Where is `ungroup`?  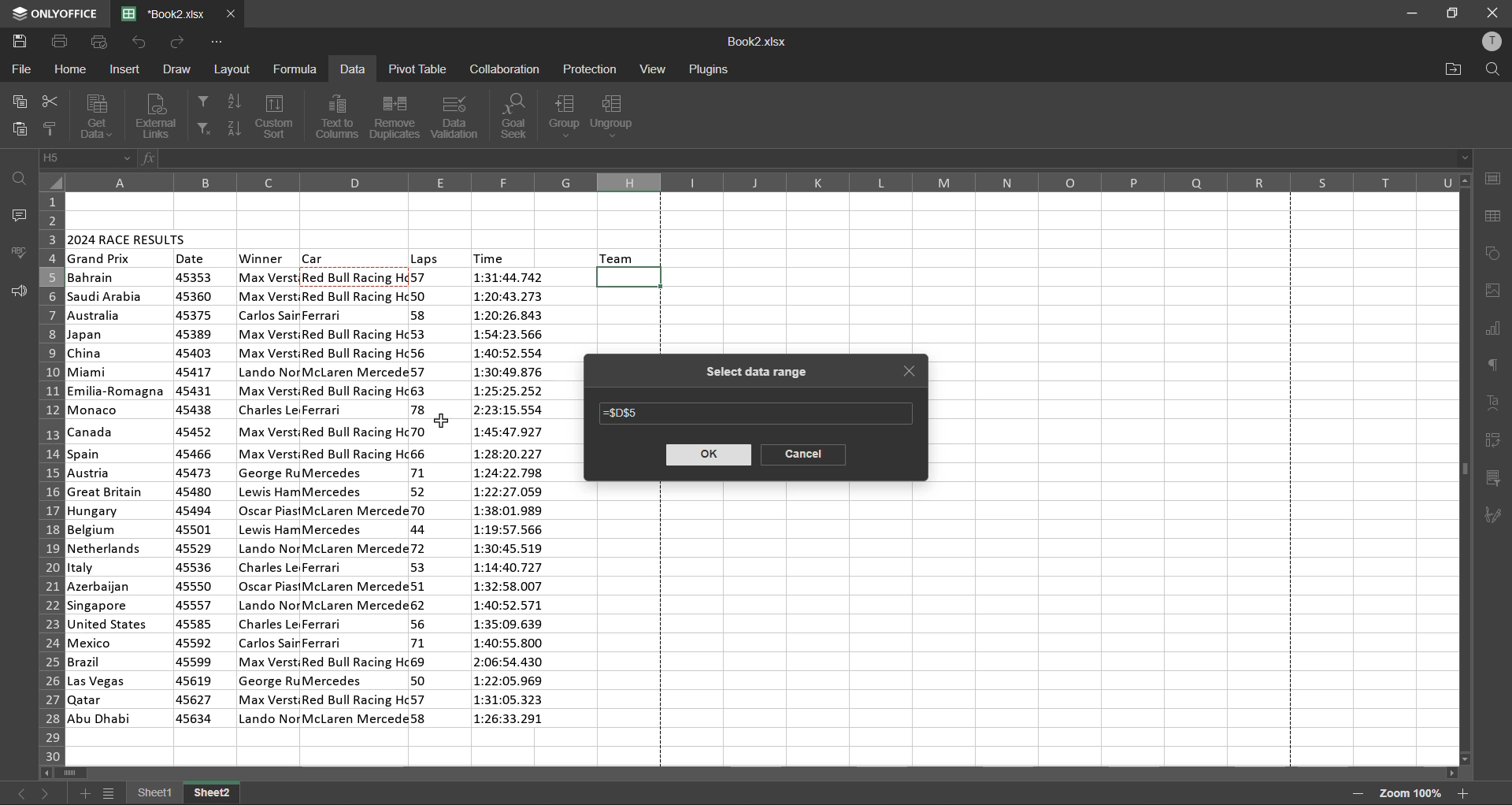
ungroup is located at coordinates (617, 117).